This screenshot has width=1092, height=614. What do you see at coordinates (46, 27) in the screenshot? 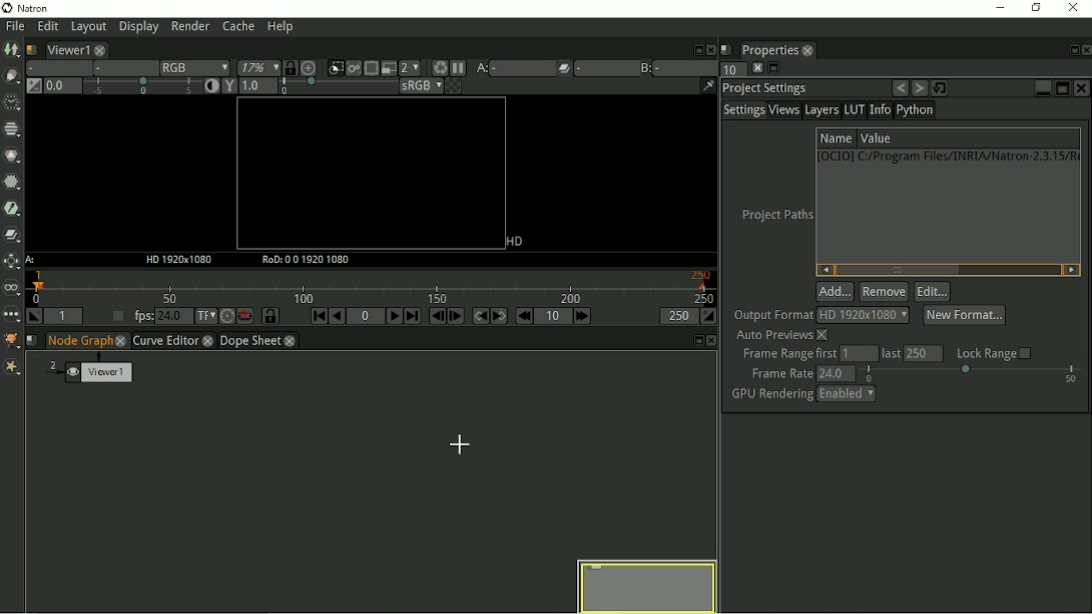
I see `Edit` at bounding box center [46, 27].